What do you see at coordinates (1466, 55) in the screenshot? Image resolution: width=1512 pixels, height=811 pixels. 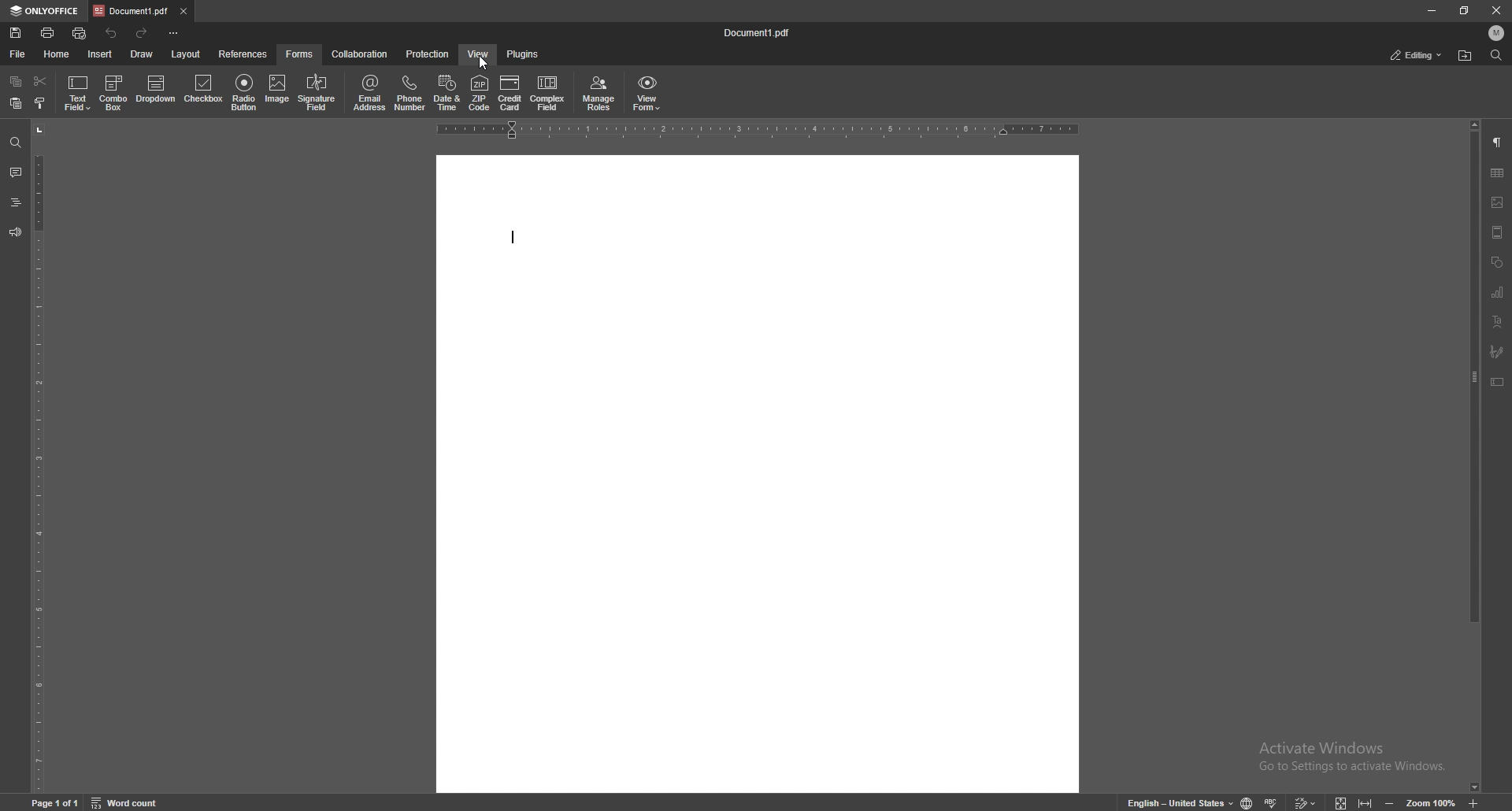 I see `locate file` at bounding box center [1466, 55].